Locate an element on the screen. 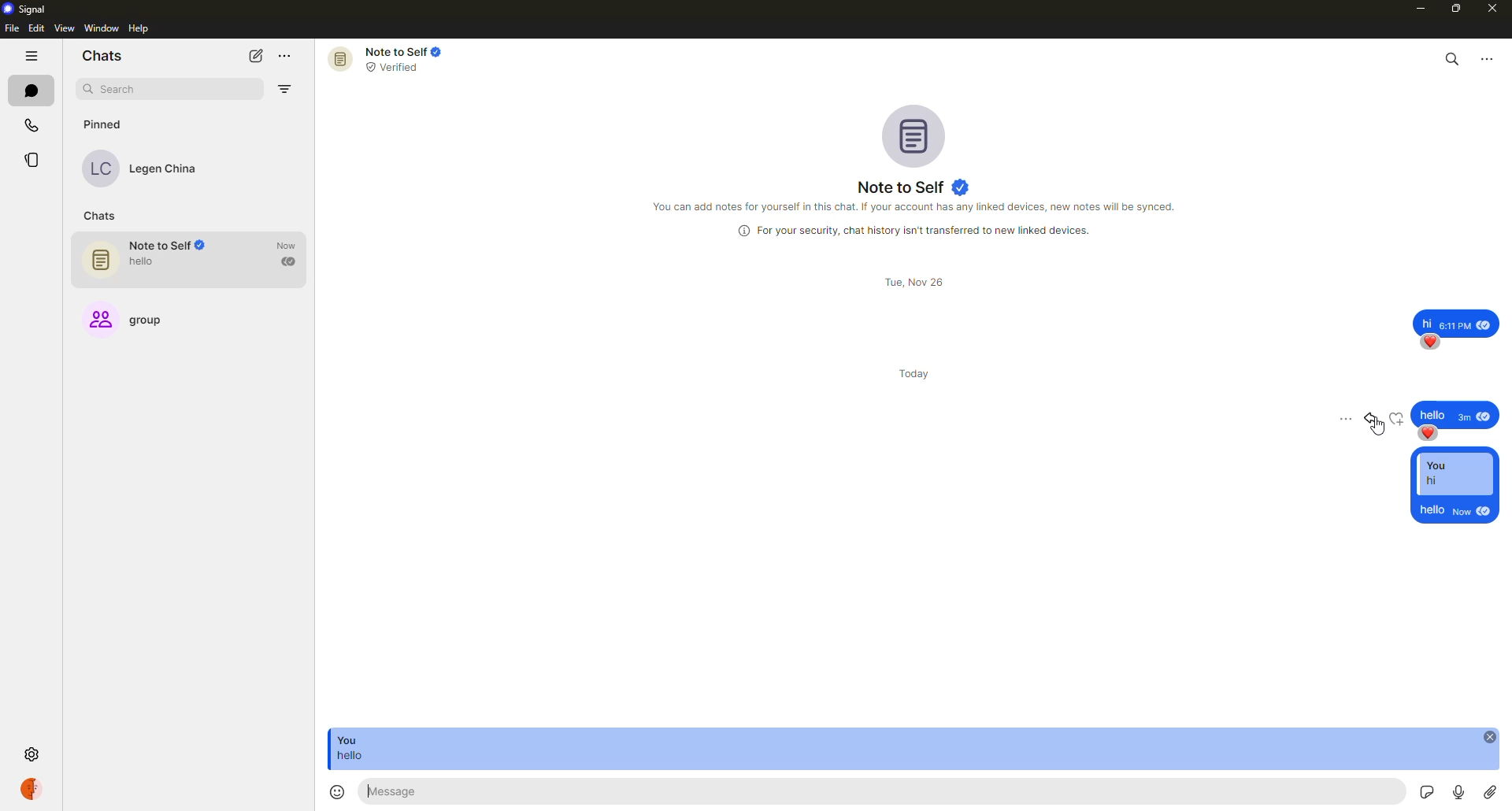 The height and width of the screenshot is (811, 1512). minimize is located at coordinates (1418, 9).